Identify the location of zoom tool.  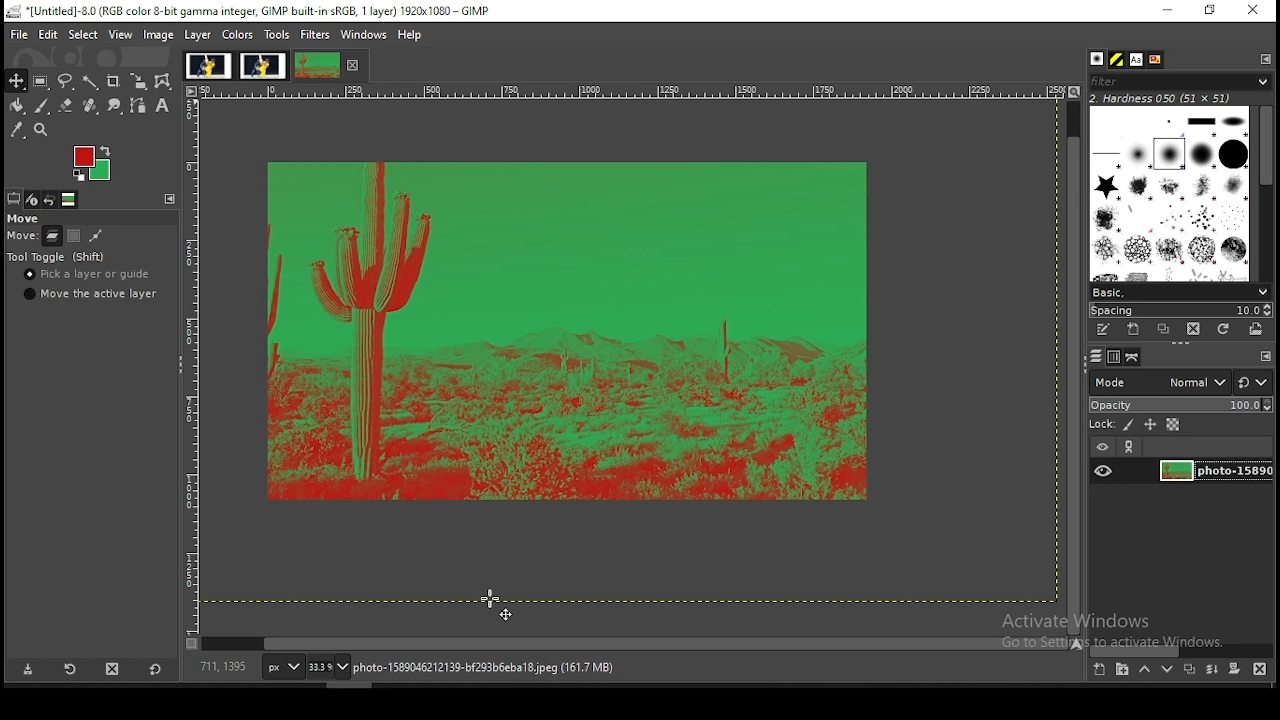
(40, 130).